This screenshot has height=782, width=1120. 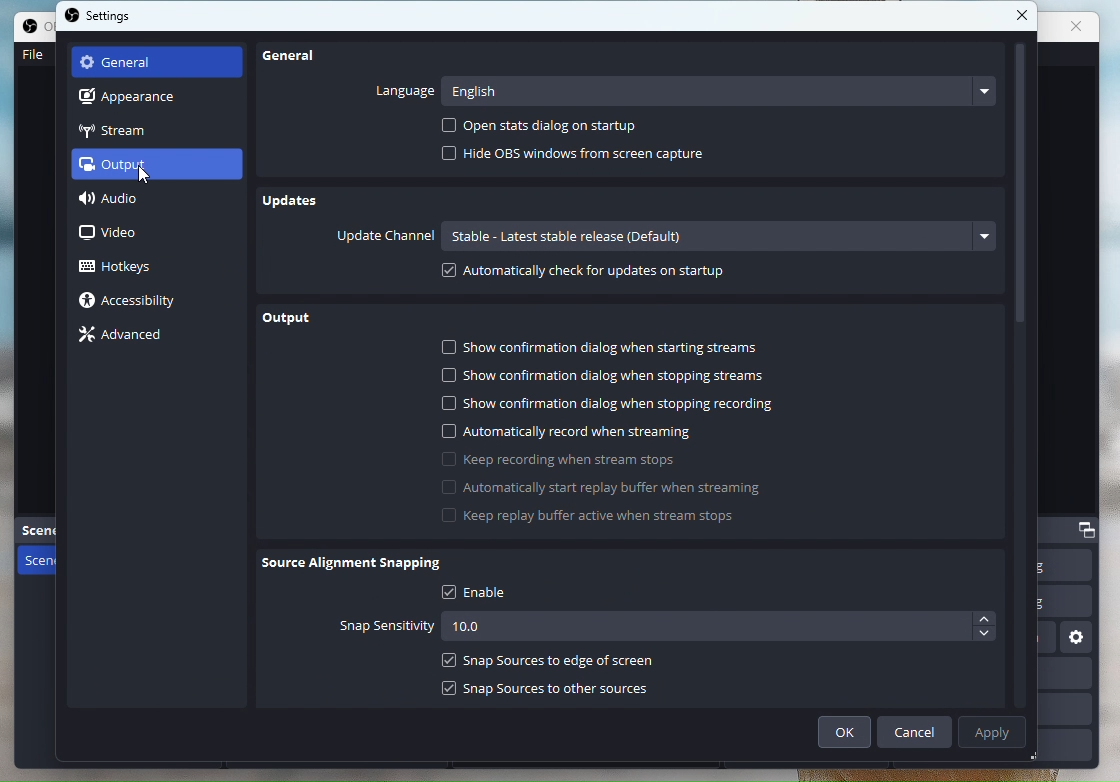 I want to click on Update Channel, so click(x=386, y=238).